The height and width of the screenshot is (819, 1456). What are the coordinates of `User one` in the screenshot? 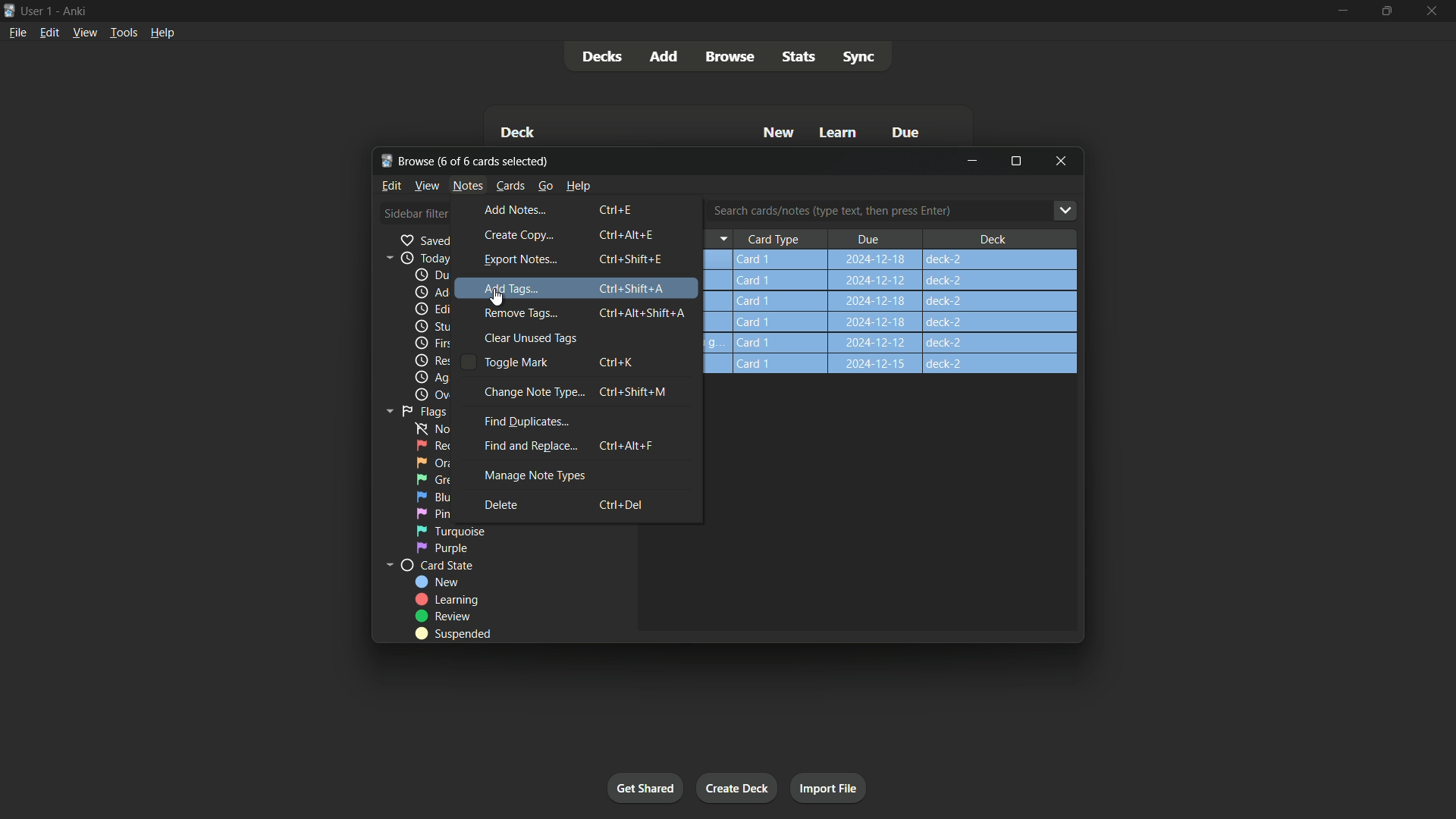 It's located at (37, 11).